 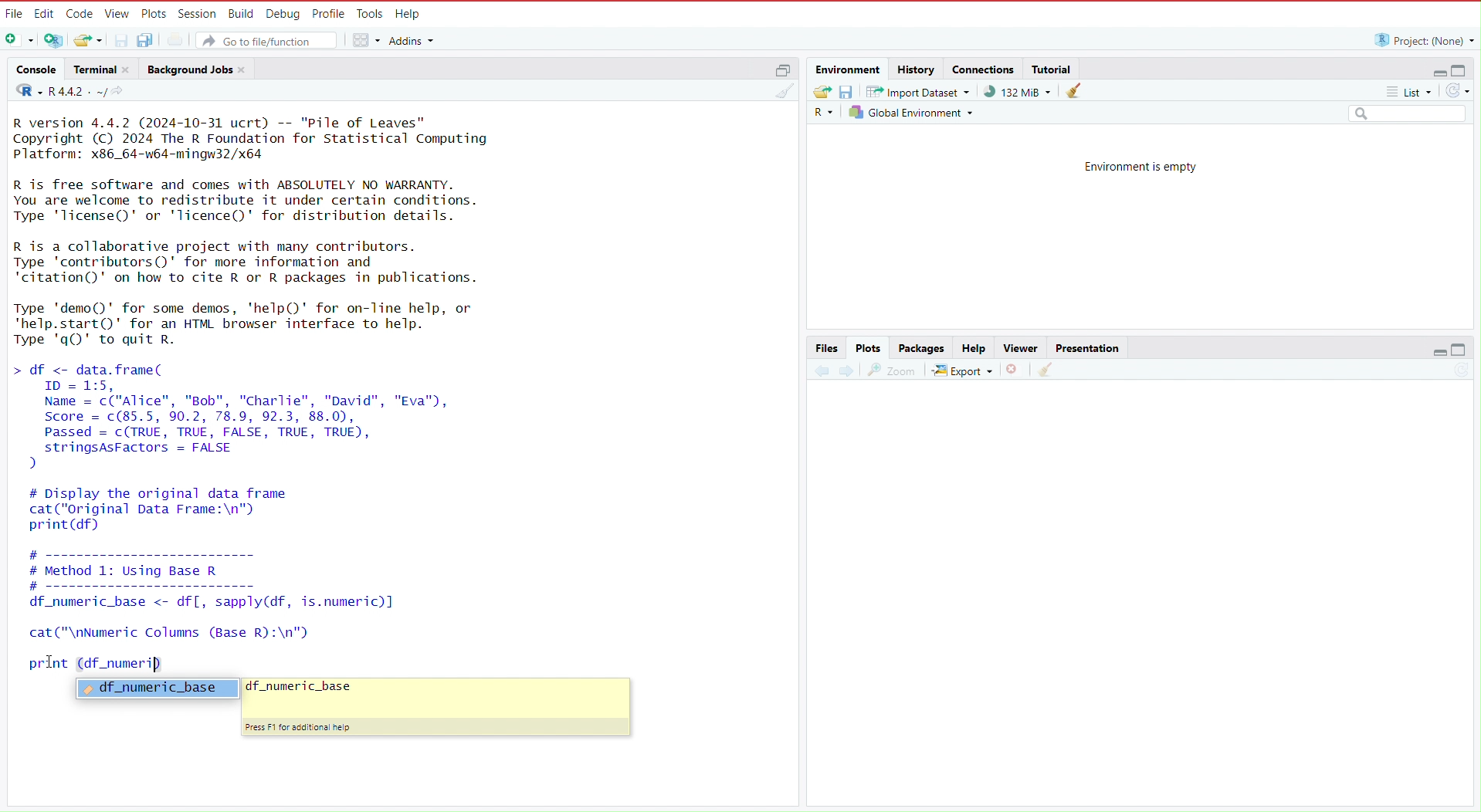 I want to click on clear console, so click(x=781, y=90).